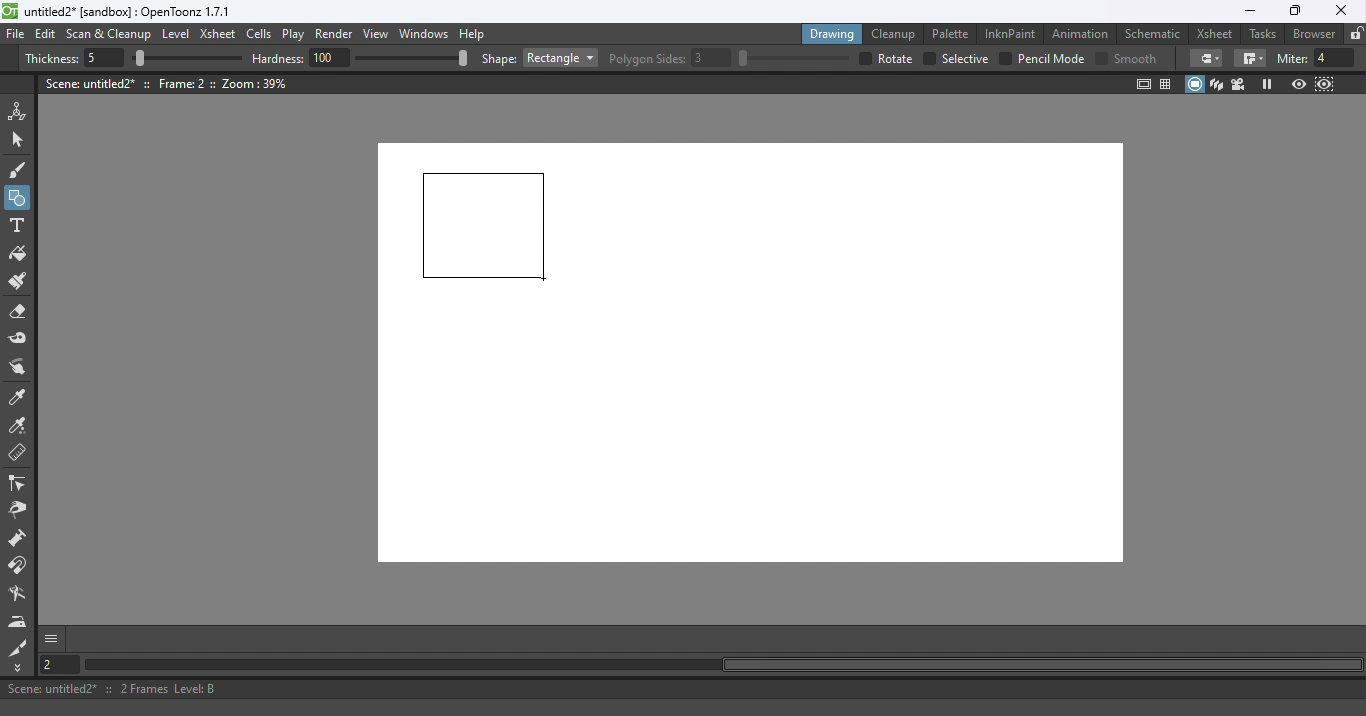 The image size is (1366, 716). What do you see at coordinates (51, 638) in the screenshot?
I see `More options` at bounding box center [51, 638].